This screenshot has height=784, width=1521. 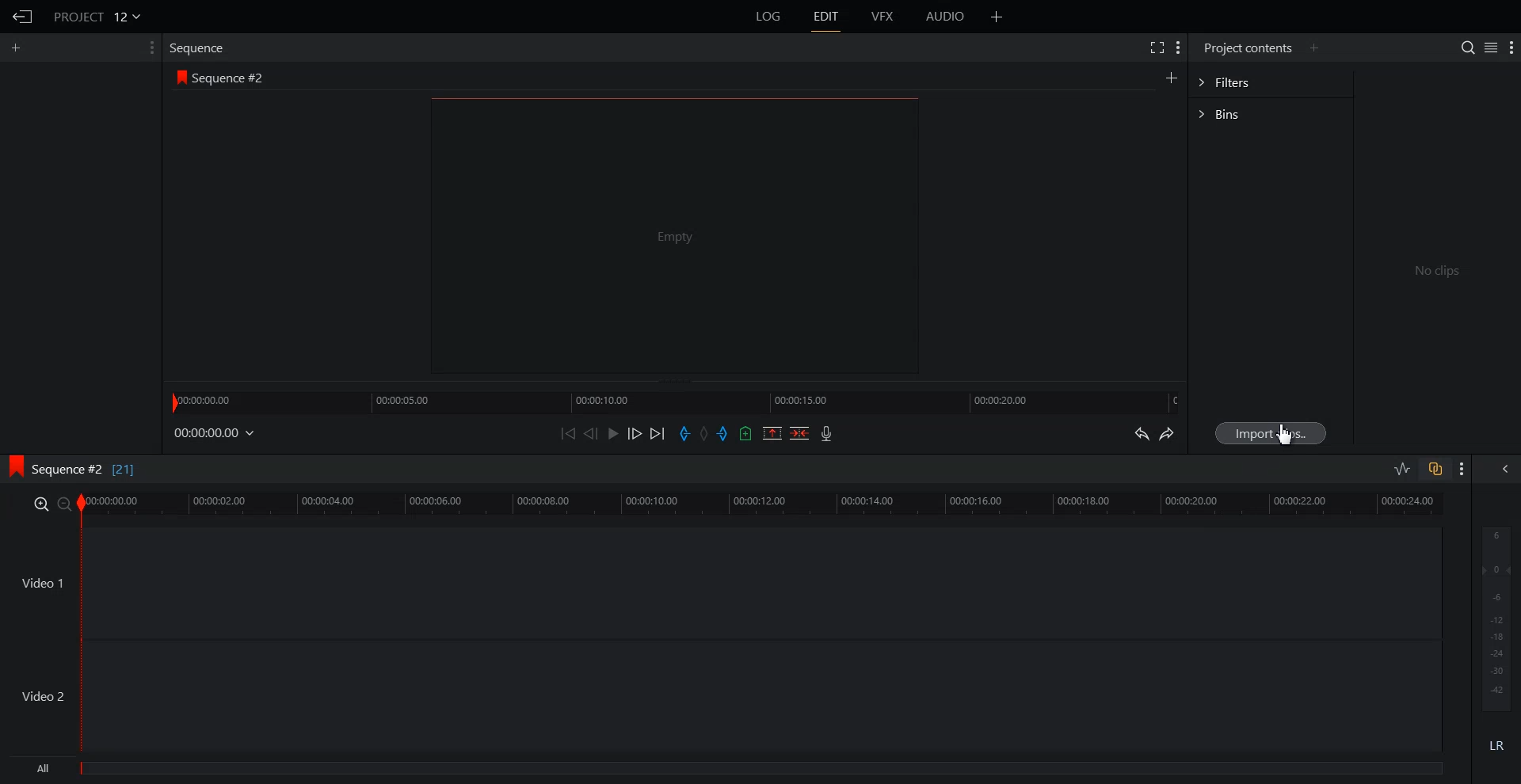 What do you see at coordinates (799, 432) in the screenshot?
I see `Delete` at bounding box center [799, 432].